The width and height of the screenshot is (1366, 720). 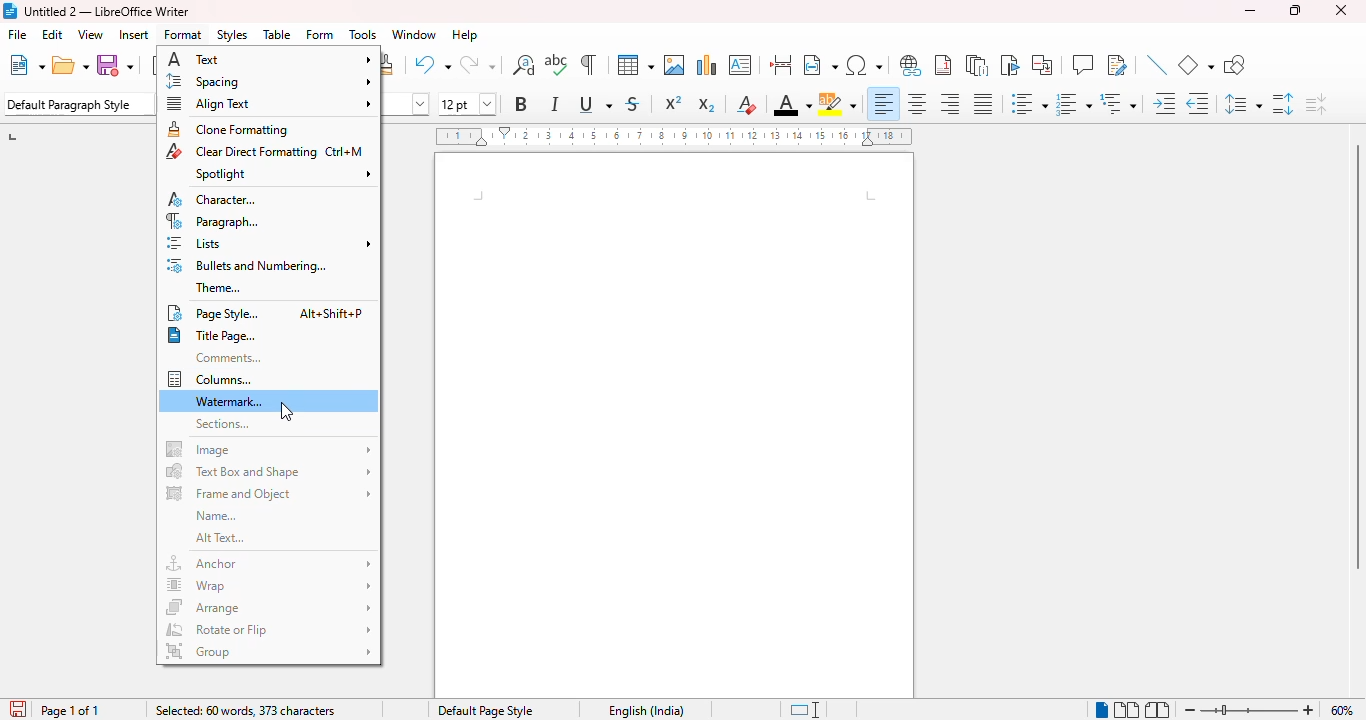 What do you see at coordinates (246, 265) in the screenshot?
I see `bullets and numbering` at bounding box center [246, 265].